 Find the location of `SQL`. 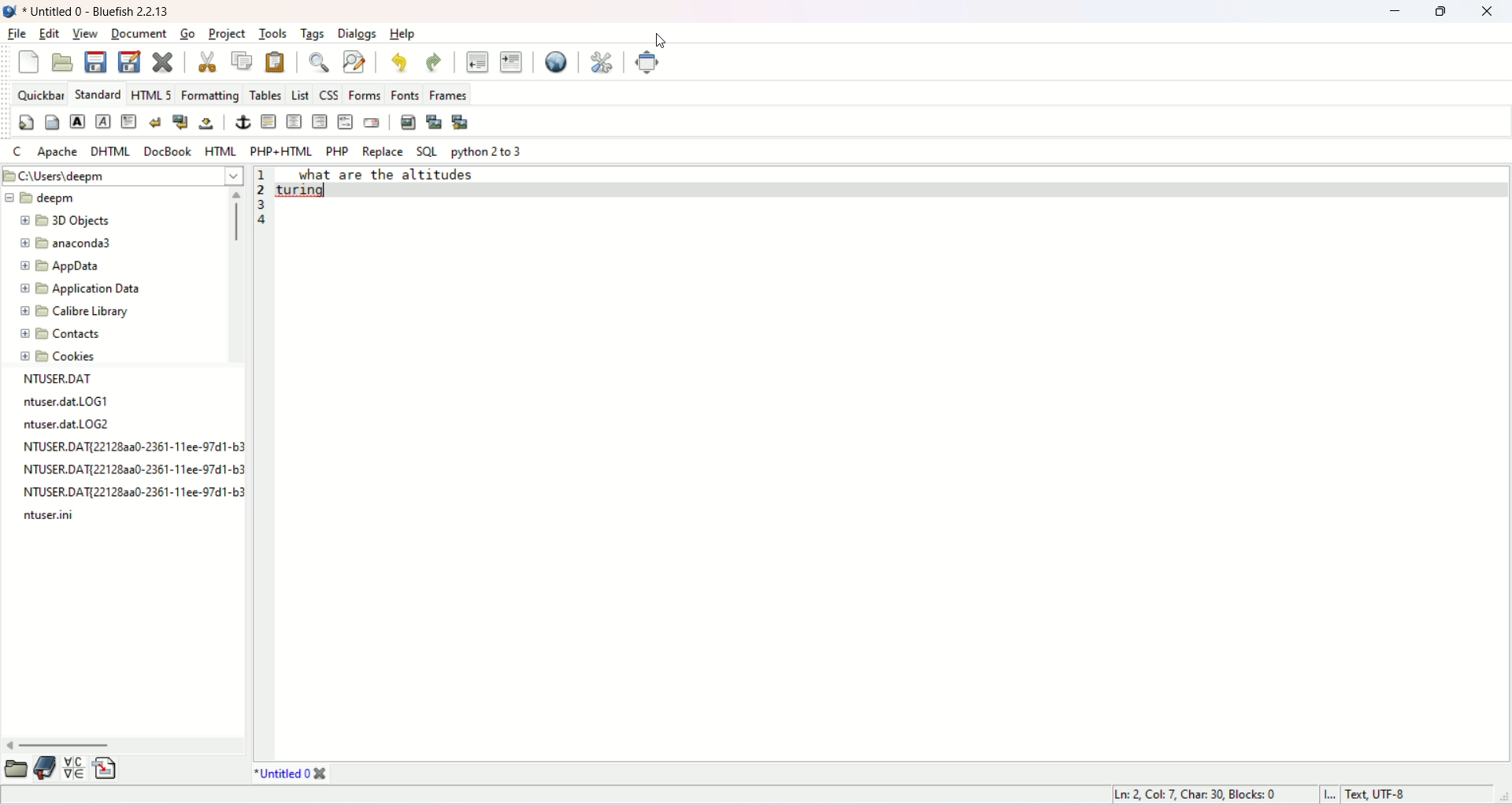

SQL is located at coordinates (427, 153).